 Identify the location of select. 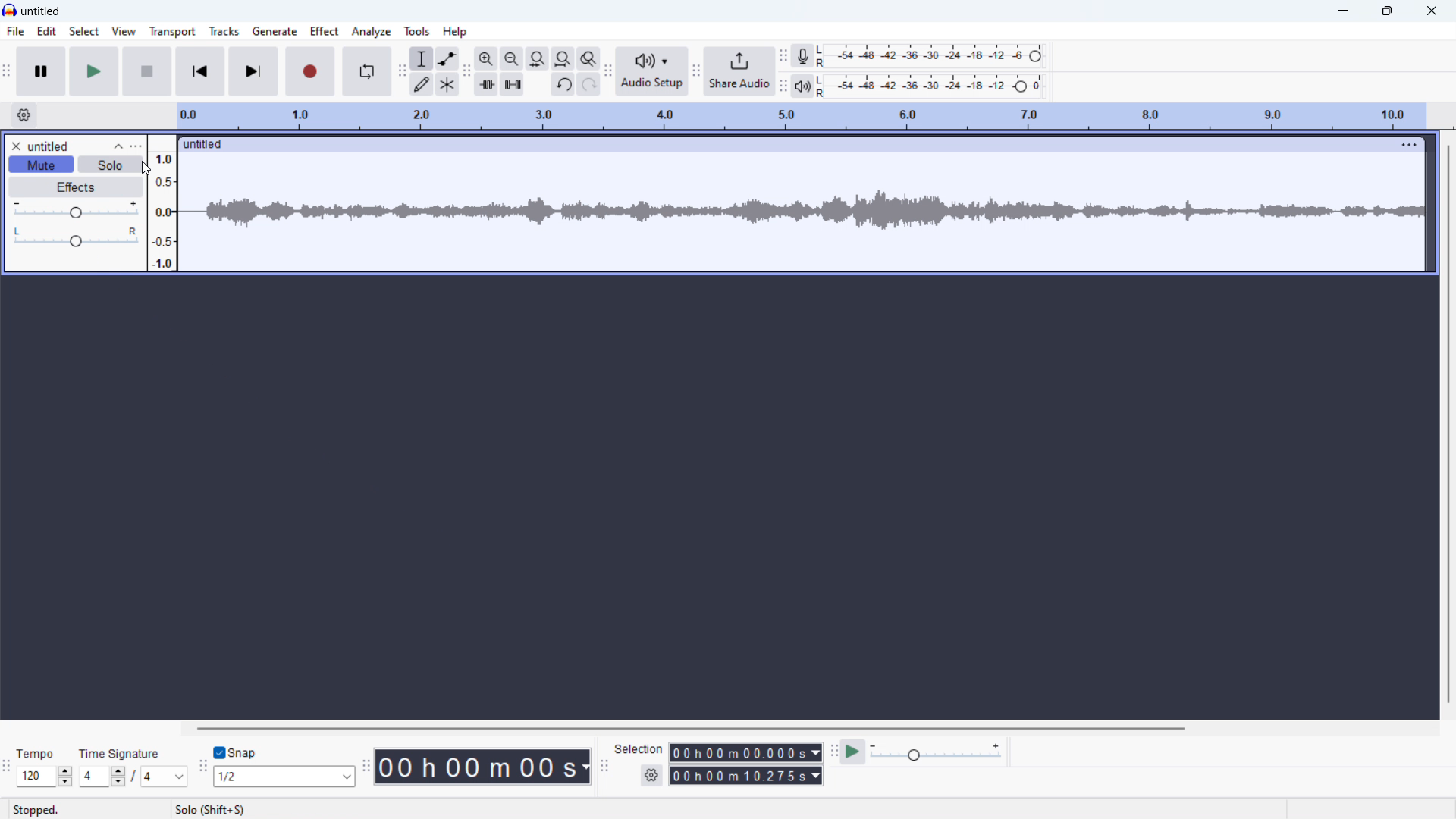
(85, 30).